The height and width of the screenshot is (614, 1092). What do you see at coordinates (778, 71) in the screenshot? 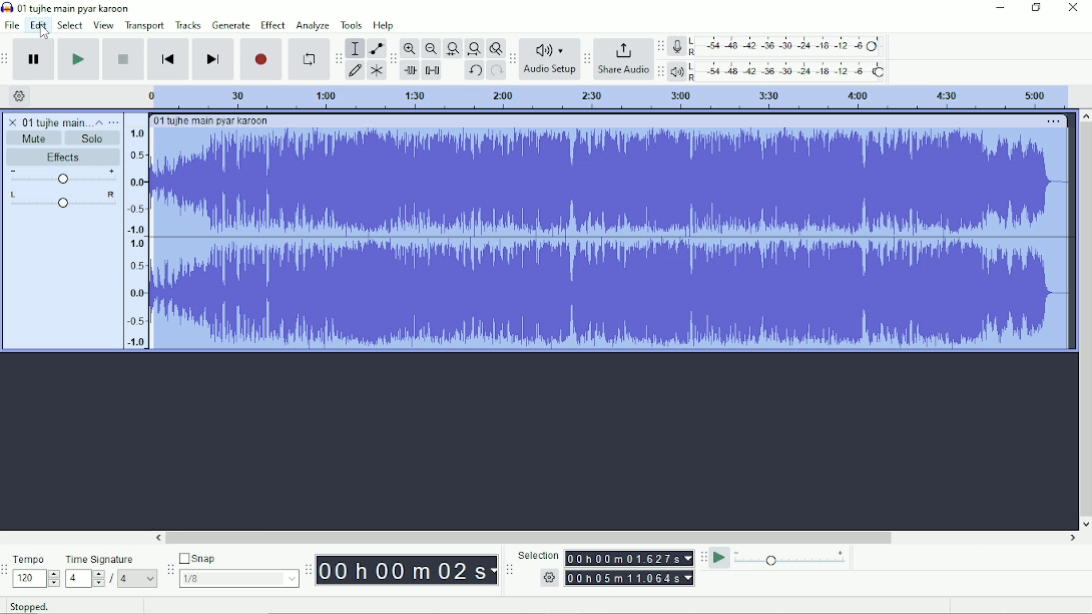
I see `Playback meter` at bounding box center [778, 71].